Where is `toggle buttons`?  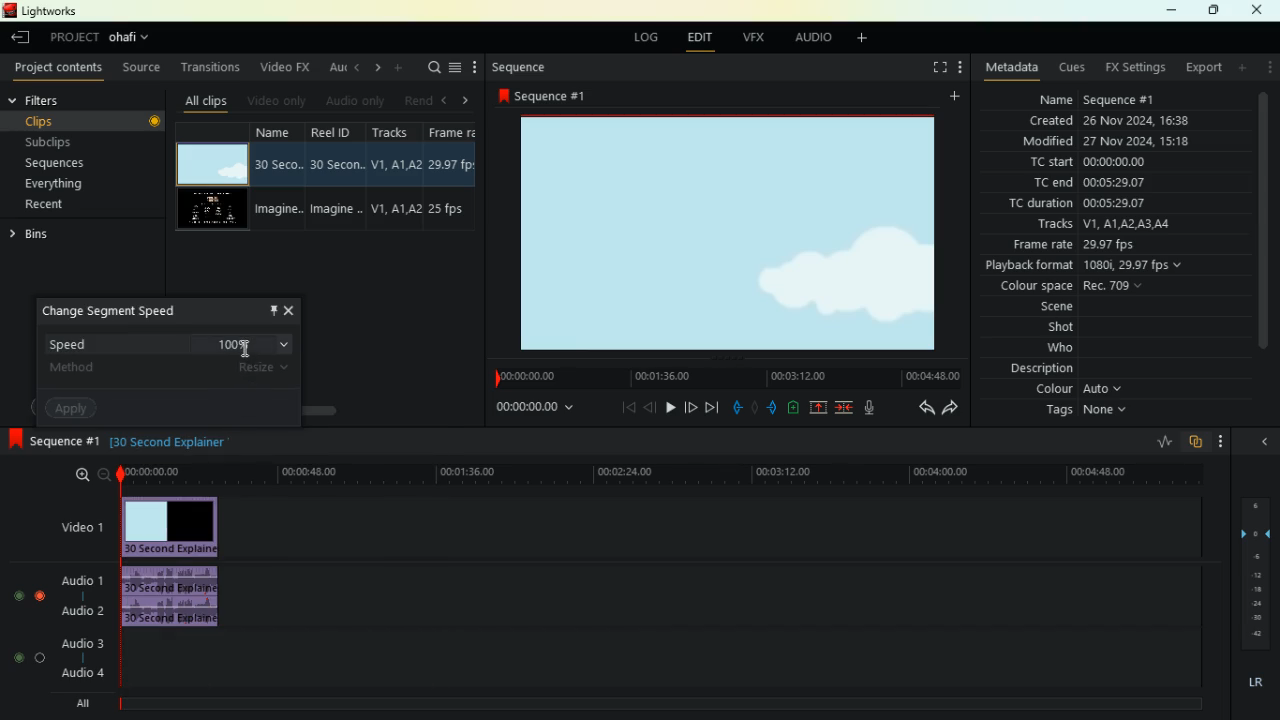 toggle buttons is located at coordinates (25, 630).